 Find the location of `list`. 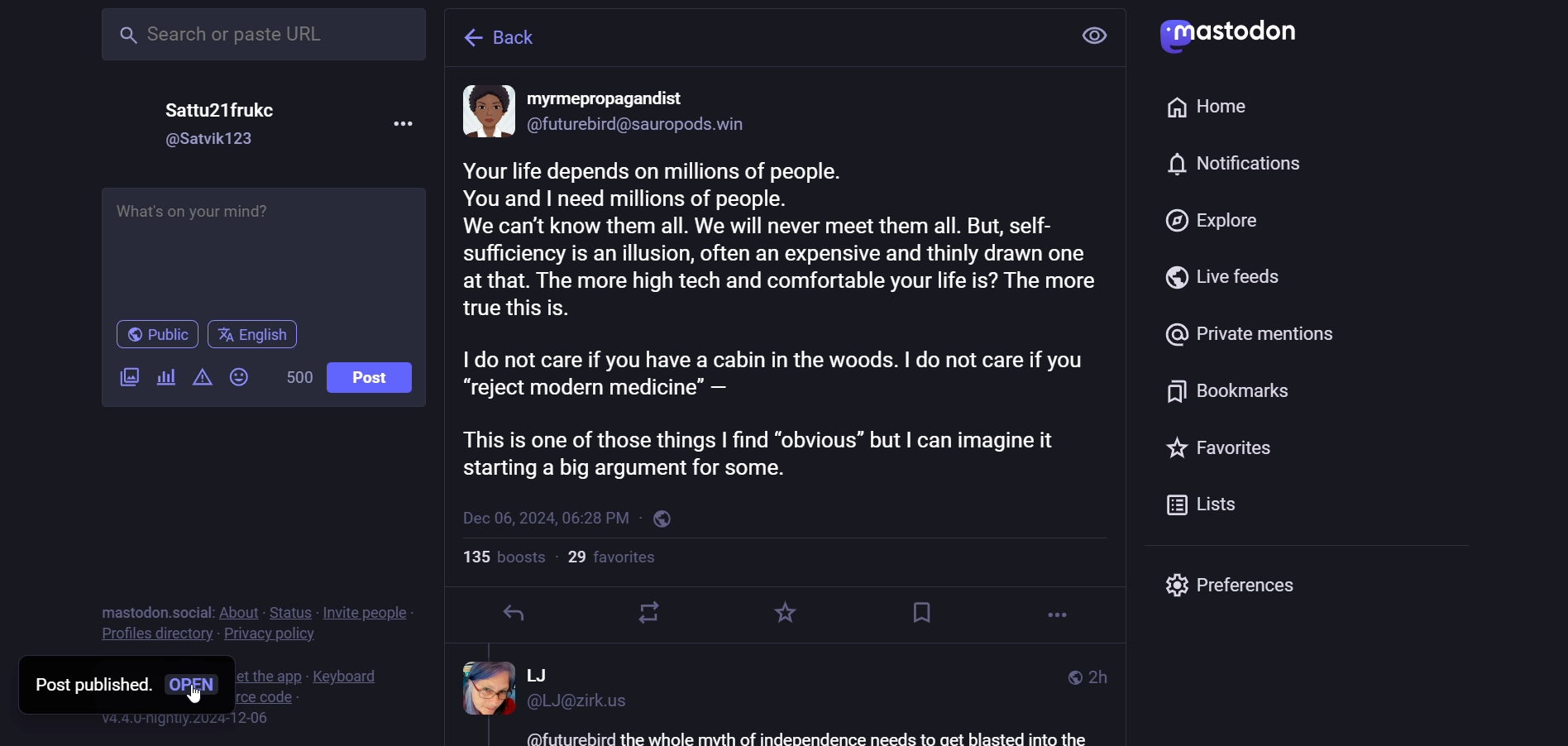

list is located at coordinates (1207, 505).